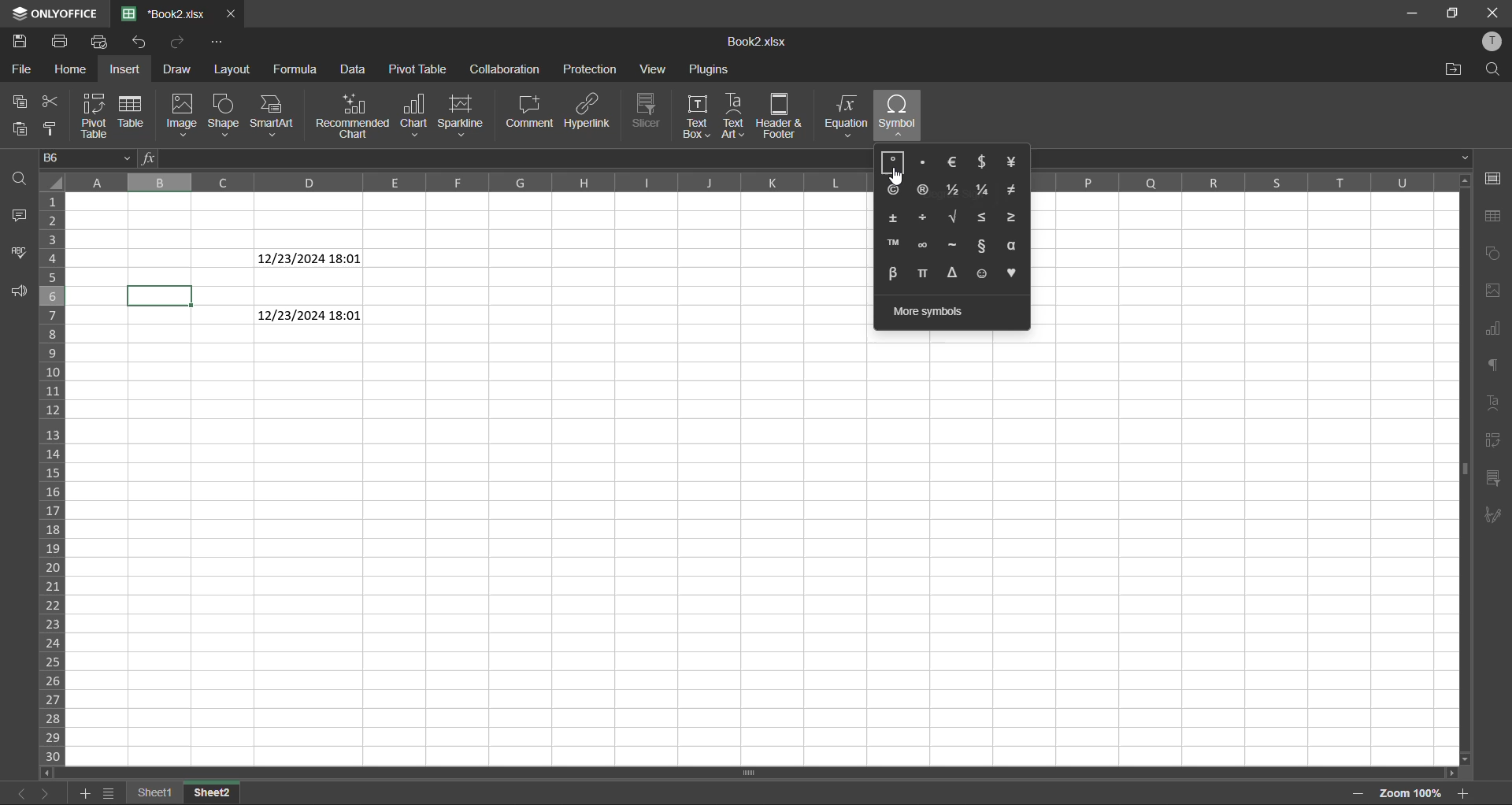  What do you see at coordinates (953, 245) in the screenshot?
I see `tilde` at bounding box center [953, 245].